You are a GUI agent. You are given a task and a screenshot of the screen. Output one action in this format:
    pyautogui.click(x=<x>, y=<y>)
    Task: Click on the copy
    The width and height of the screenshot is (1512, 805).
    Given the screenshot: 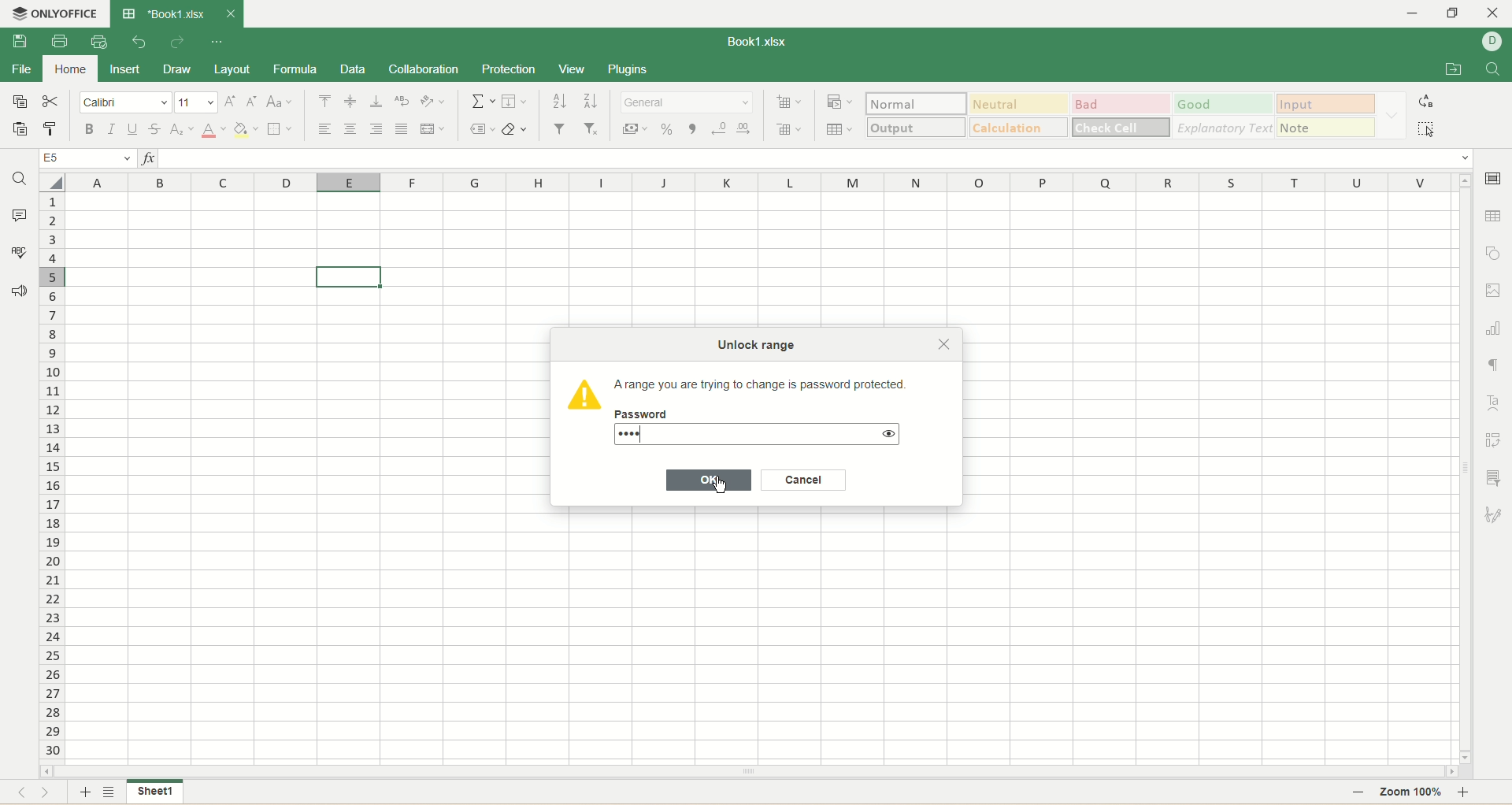 What is the action you would take?
    pyautogui.click(x=22, y=101)
    